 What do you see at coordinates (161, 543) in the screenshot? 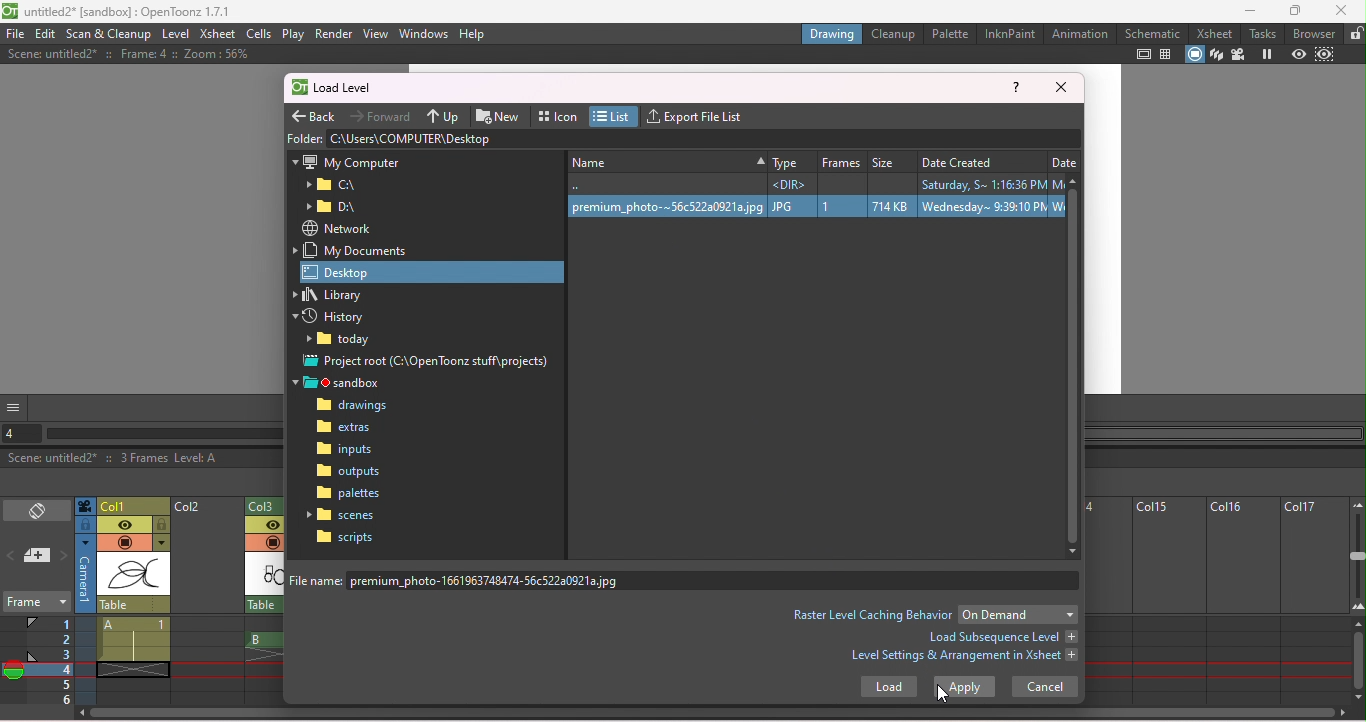
I see `Additional column setting` at bounding box center [161, 543].